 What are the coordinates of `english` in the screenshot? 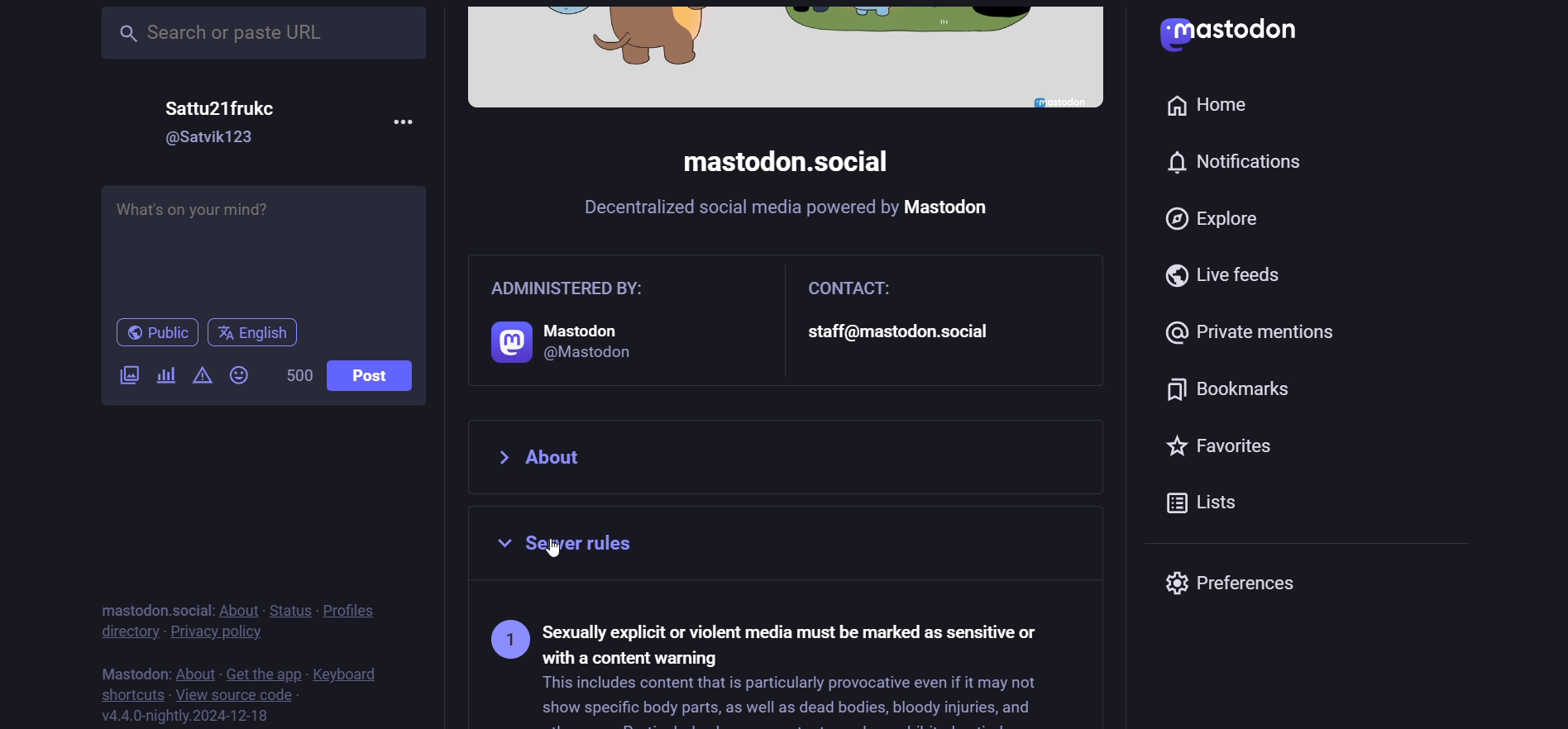 It's located at (256, 333).